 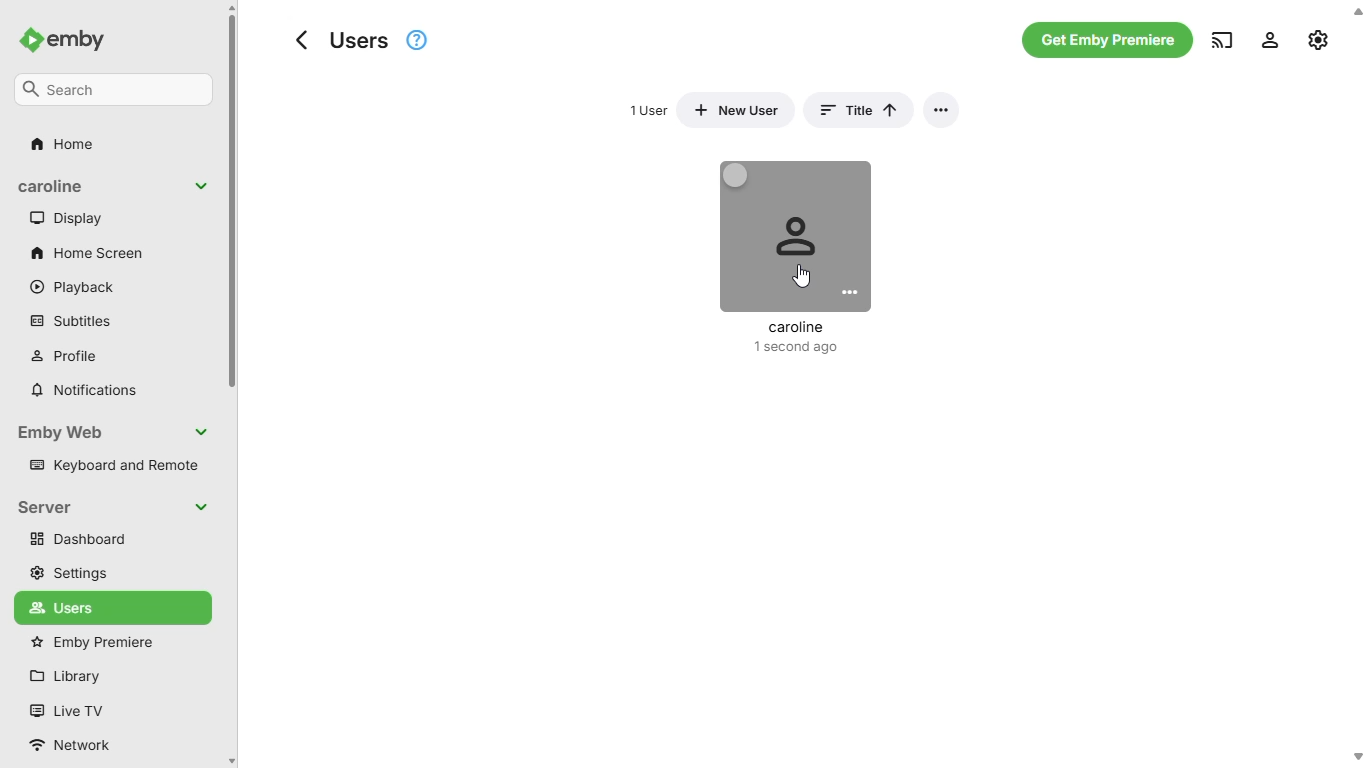 I want to click on profile, so click(x=66, y=357).